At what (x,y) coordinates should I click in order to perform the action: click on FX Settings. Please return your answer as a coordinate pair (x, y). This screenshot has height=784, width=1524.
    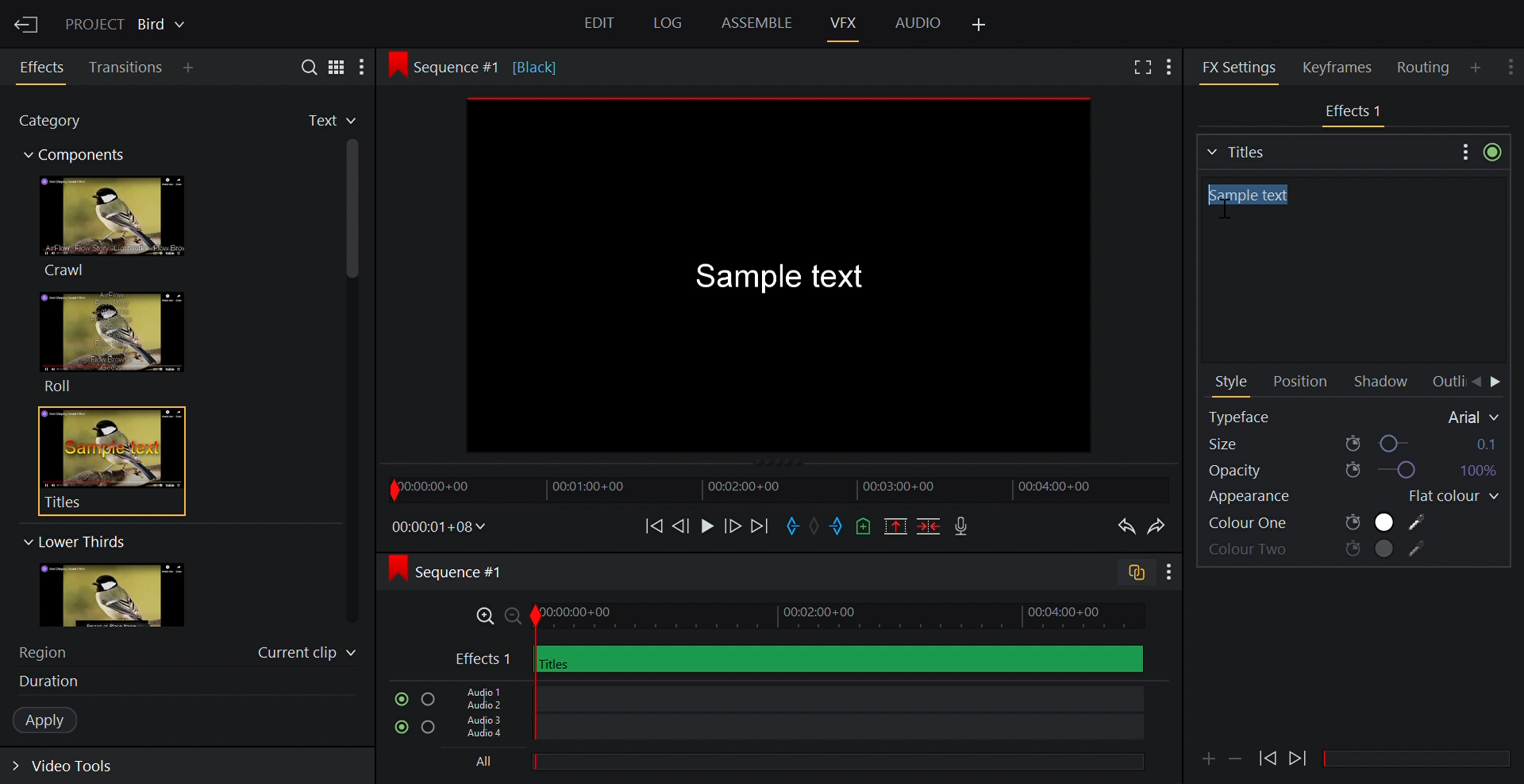
    Looking at the image, I should click on (1239, 67).